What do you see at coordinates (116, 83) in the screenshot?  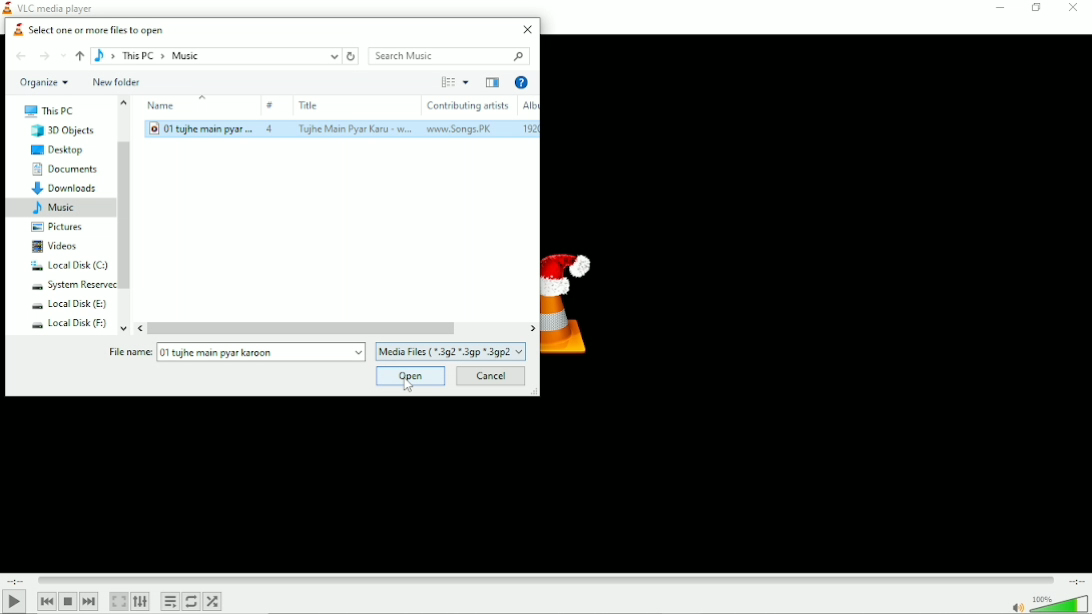 I see `New folder` at bounding box center [116, 83].